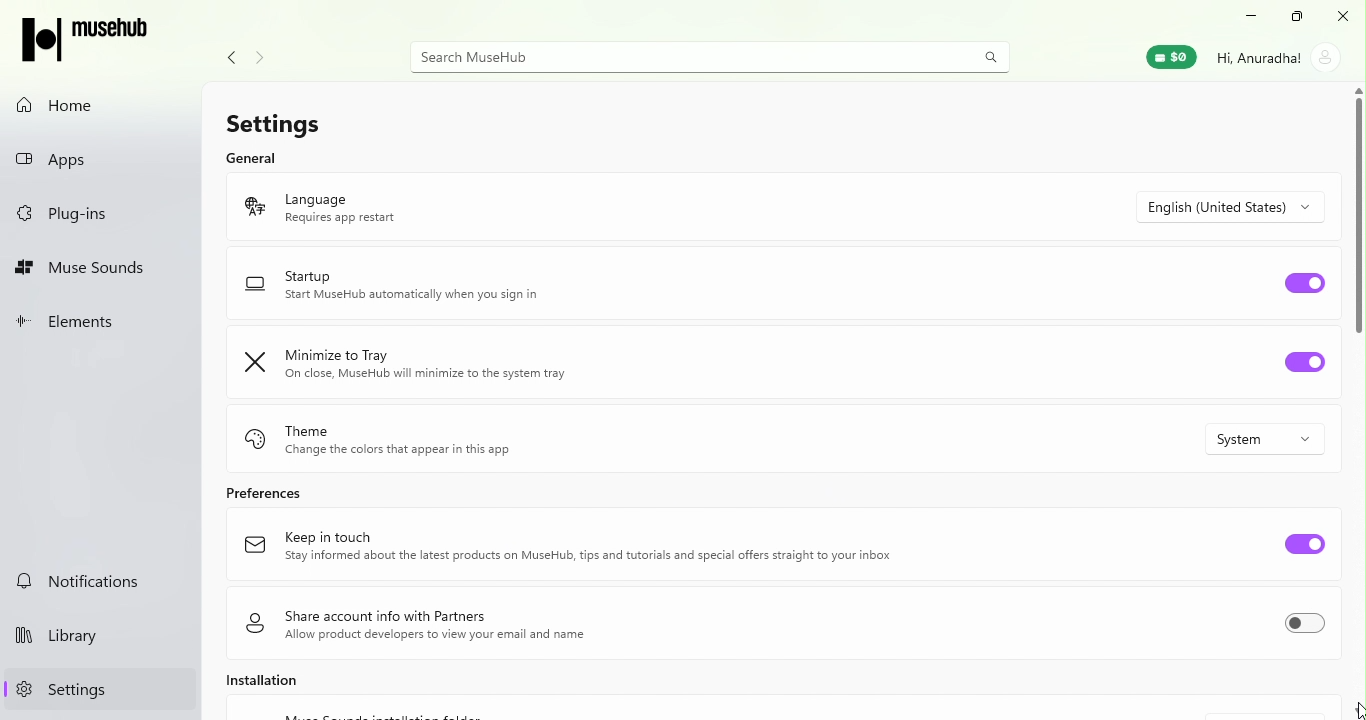  Describe the element at coordinates (254, 157) in the screenshot. I see `General` at that location.